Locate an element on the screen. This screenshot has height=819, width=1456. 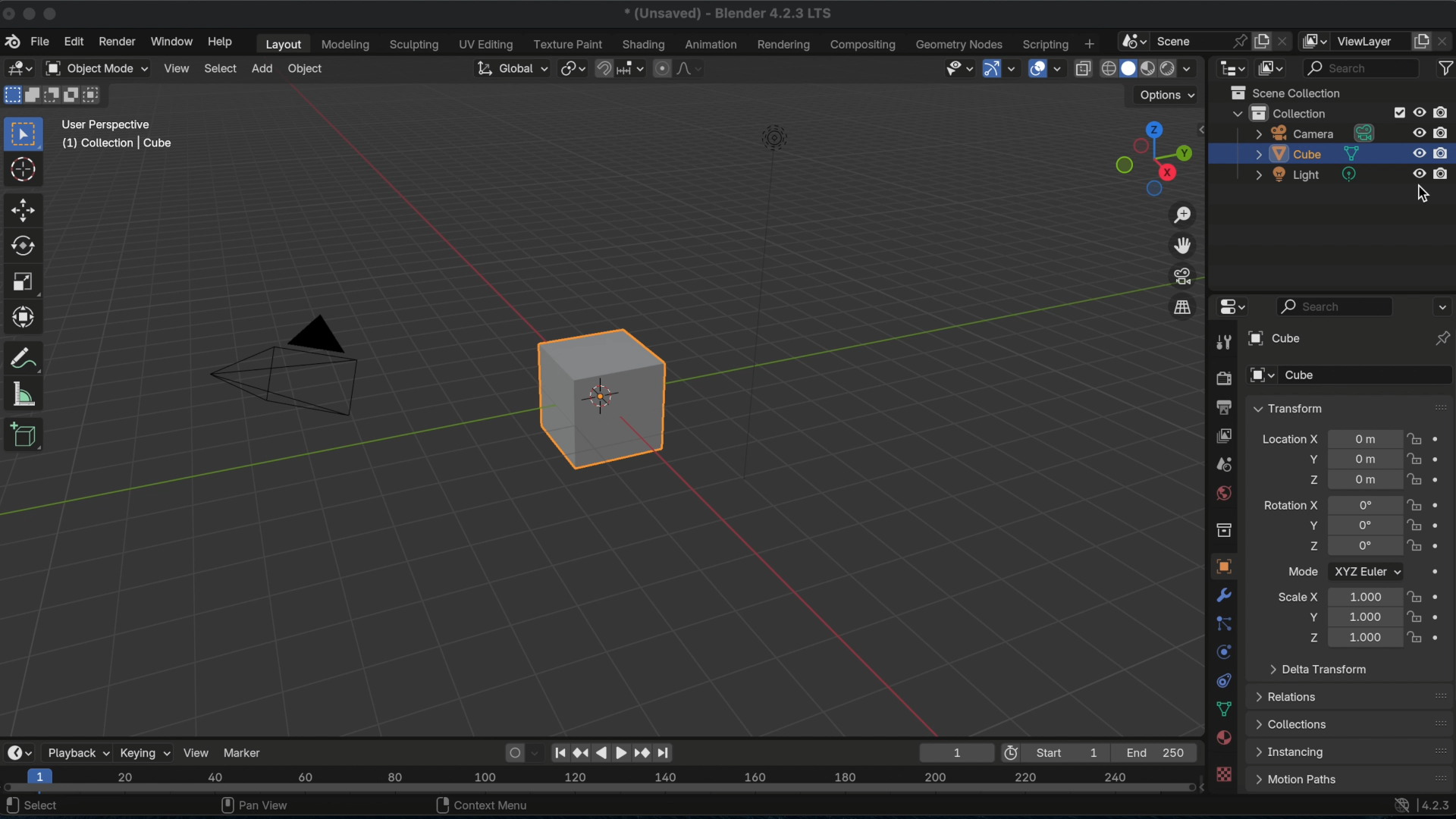
animate property is located at coordinates (1442, 501).